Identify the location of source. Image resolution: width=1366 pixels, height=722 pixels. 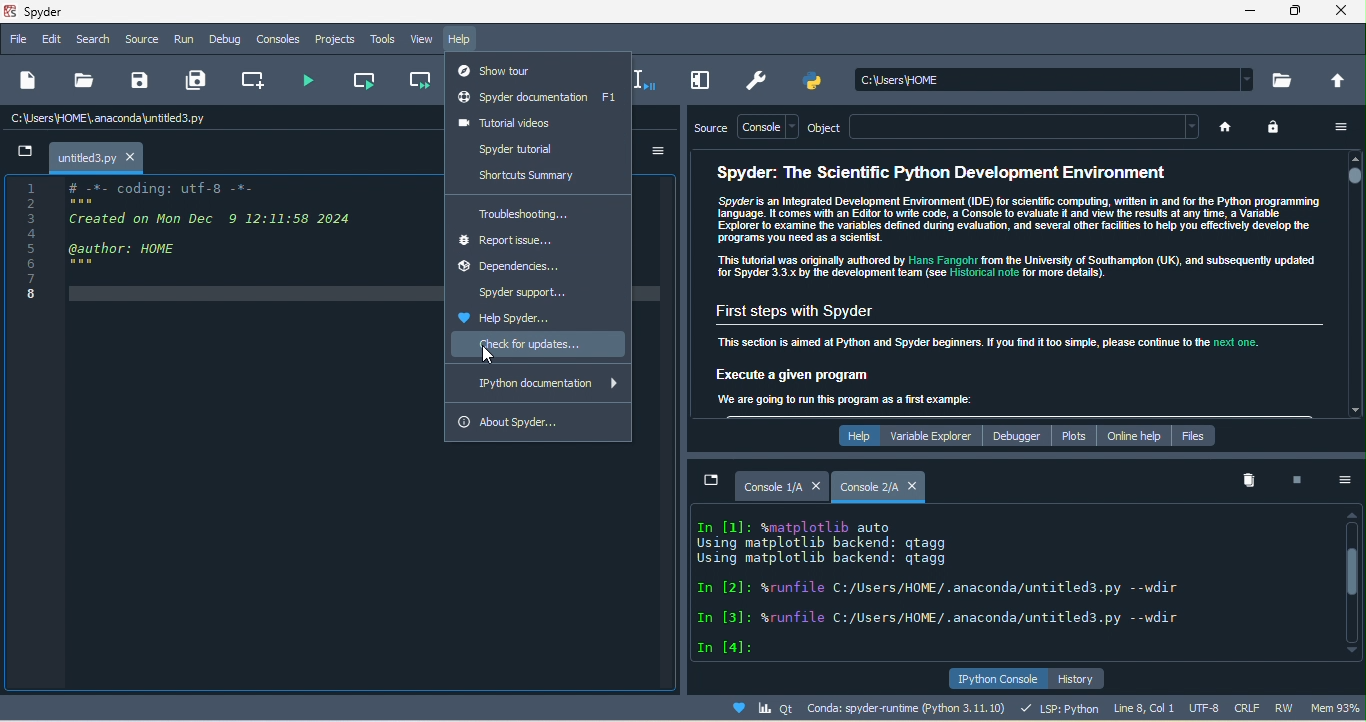
(708, 129).